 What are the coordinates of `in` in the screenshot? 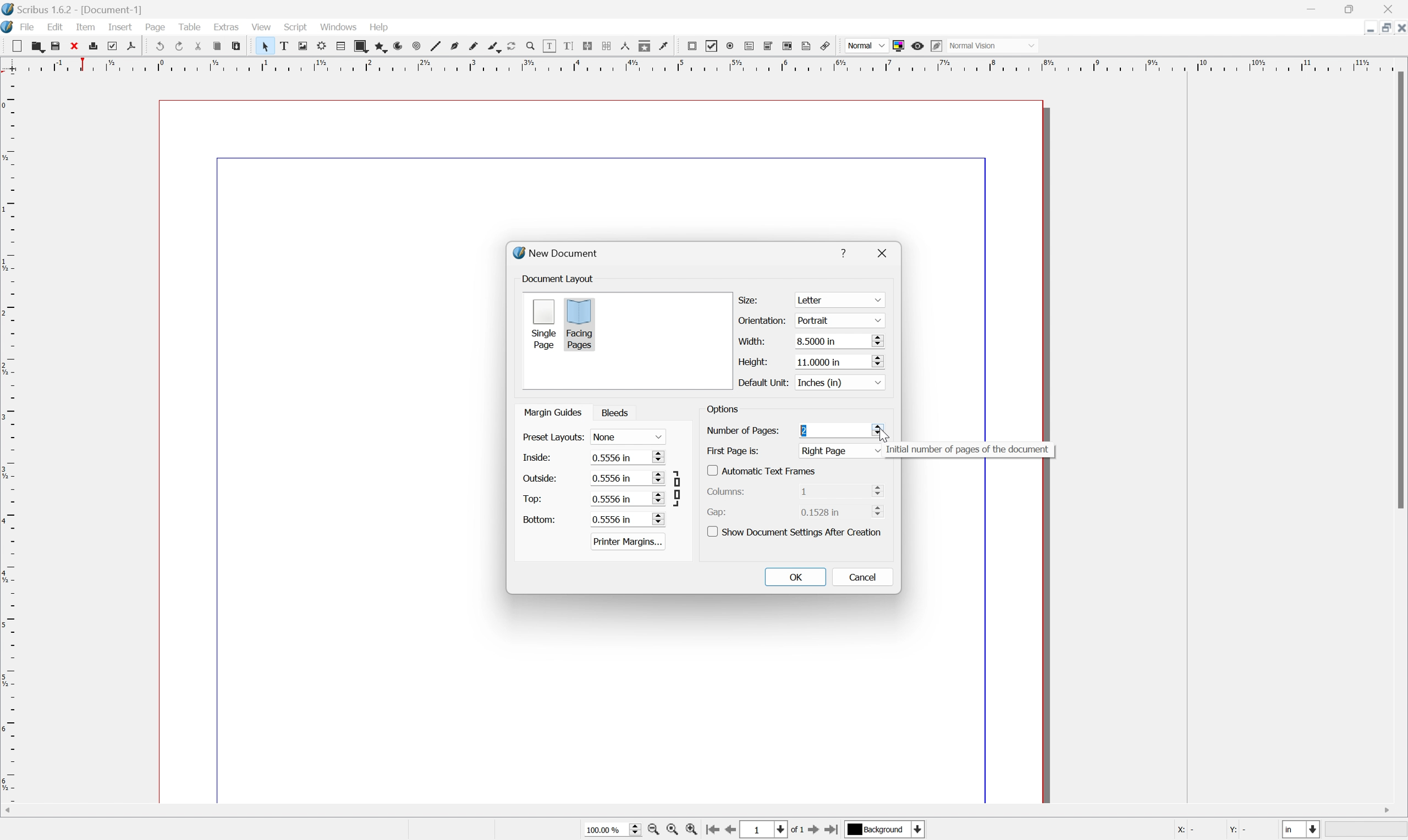 It's located at (1303, 831).